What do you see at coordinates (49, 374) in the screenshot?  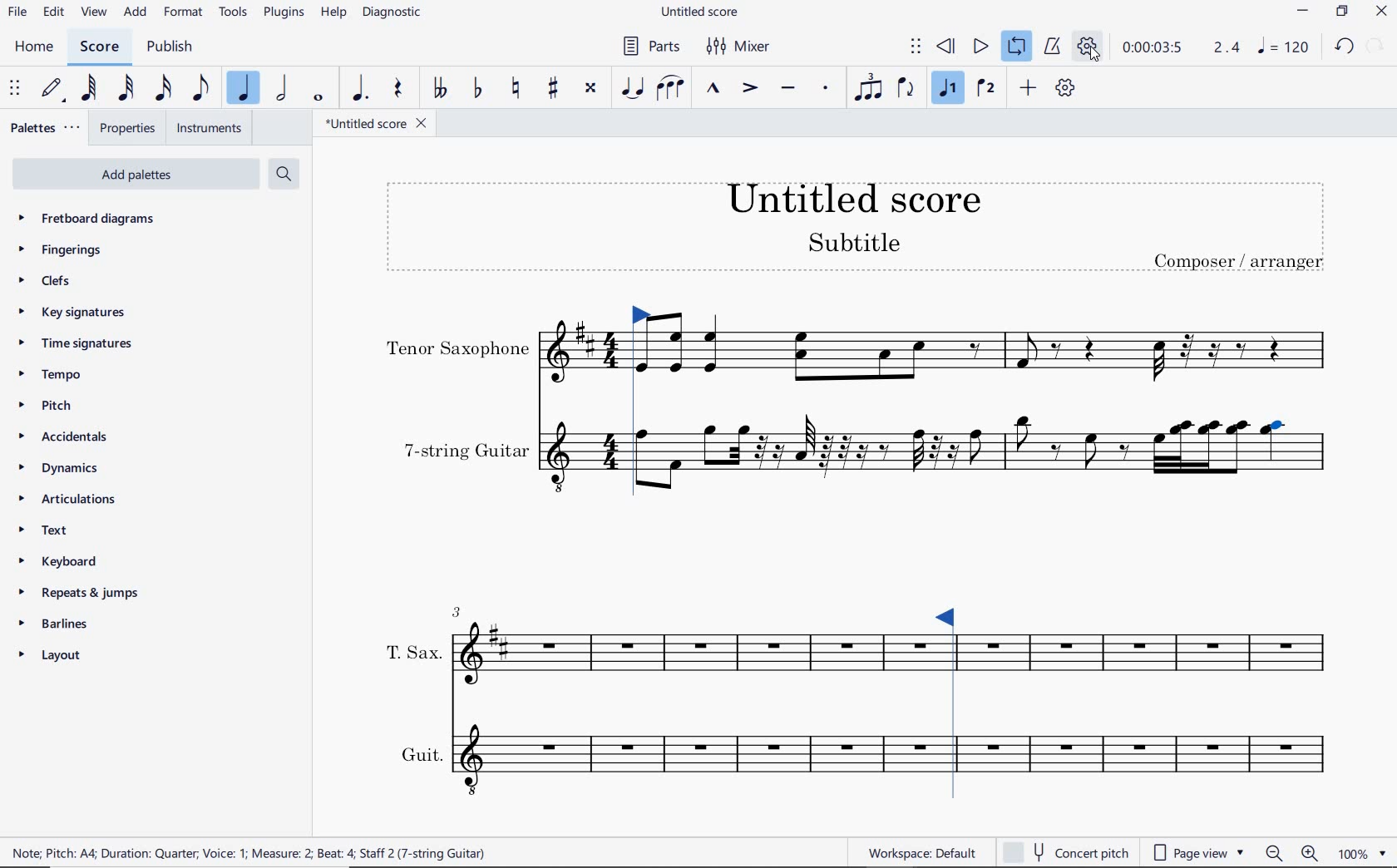 I see `TEMPO` at bounding box center [49, 374].